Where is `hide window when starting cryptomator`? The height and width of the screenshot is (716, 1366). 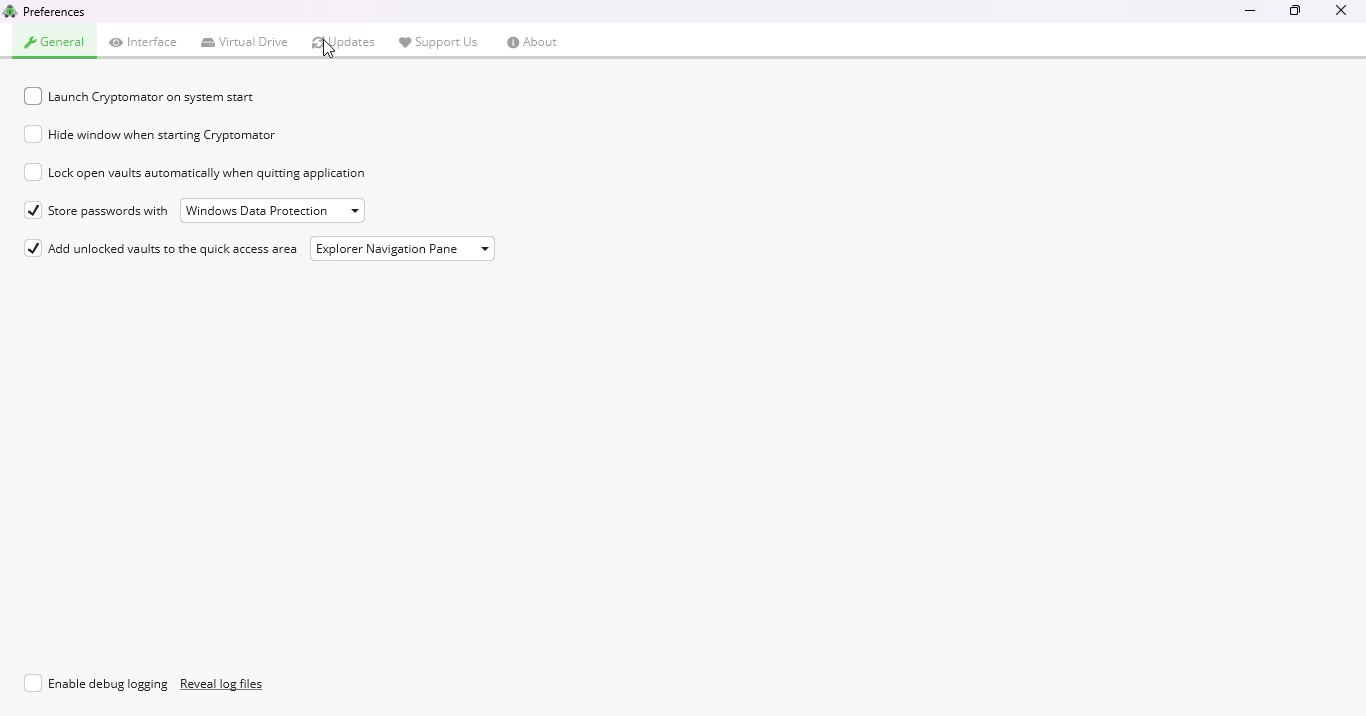 hide window when starting cryptomator is located at coordinates (151, 134).